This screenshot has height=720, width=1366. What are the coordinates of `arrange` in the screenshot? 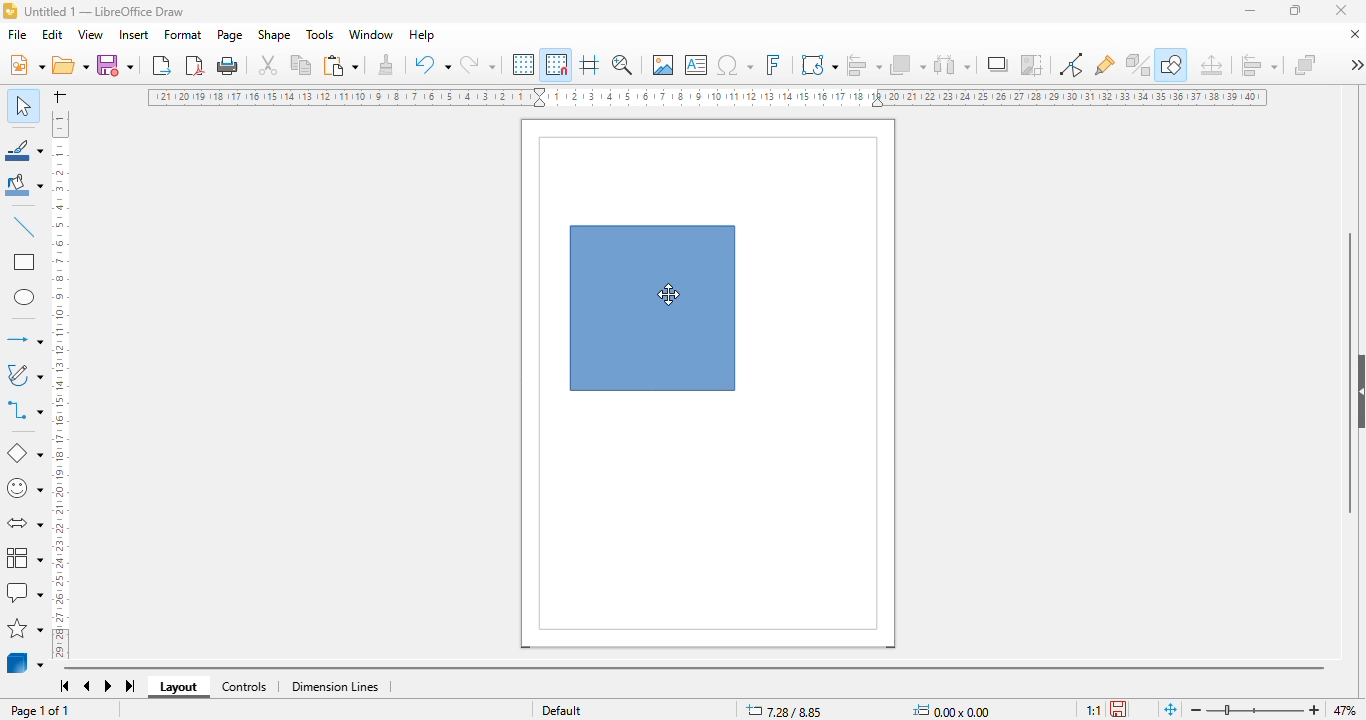 It's located at (908, 64).